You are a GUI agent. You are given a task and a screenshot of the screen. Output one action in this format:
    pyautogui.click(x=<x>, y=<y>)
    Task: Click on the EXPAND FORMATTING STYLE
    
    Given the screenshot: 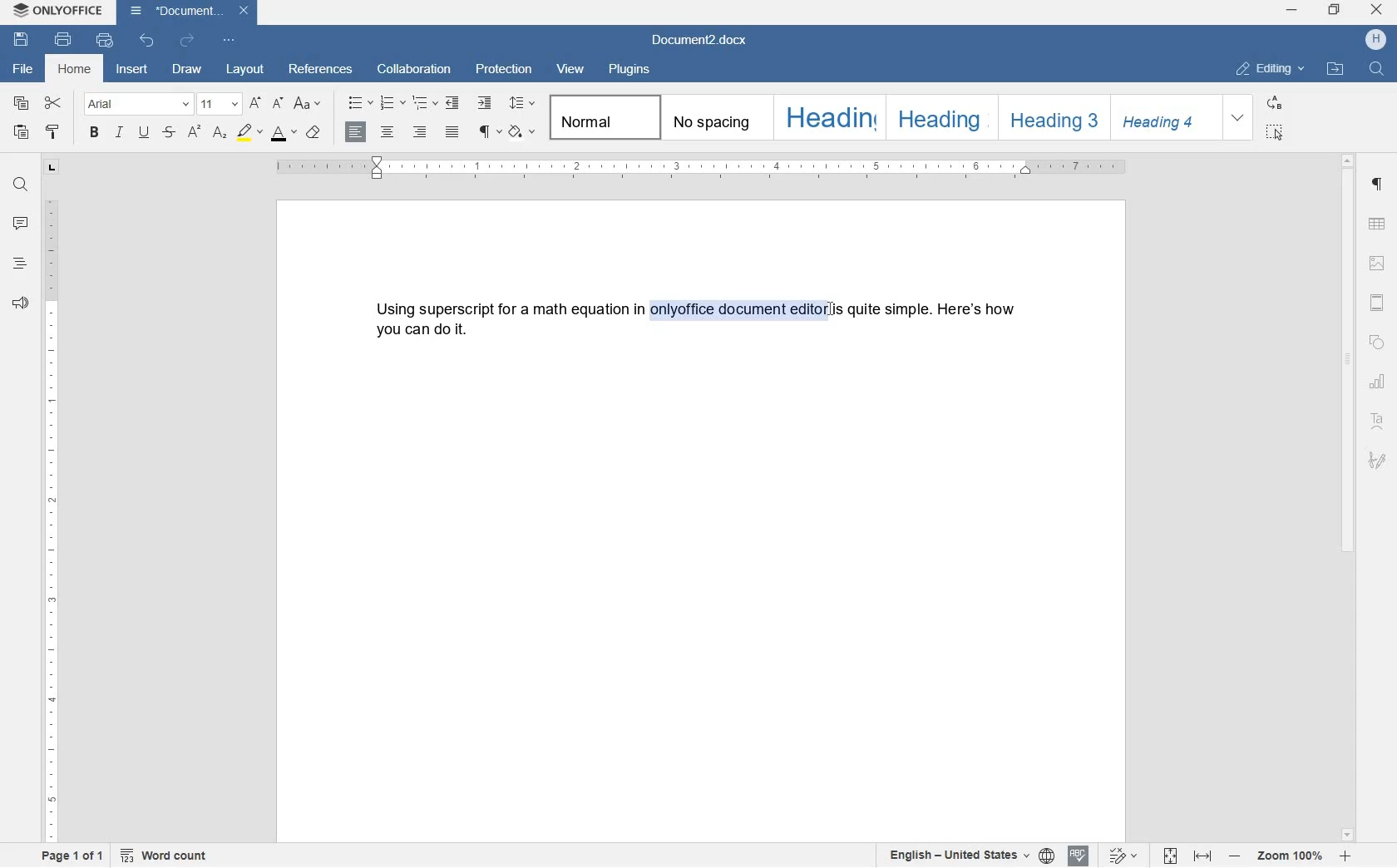 What is the action you would take?
    pyautogui.click(x=1240, y=118)
    